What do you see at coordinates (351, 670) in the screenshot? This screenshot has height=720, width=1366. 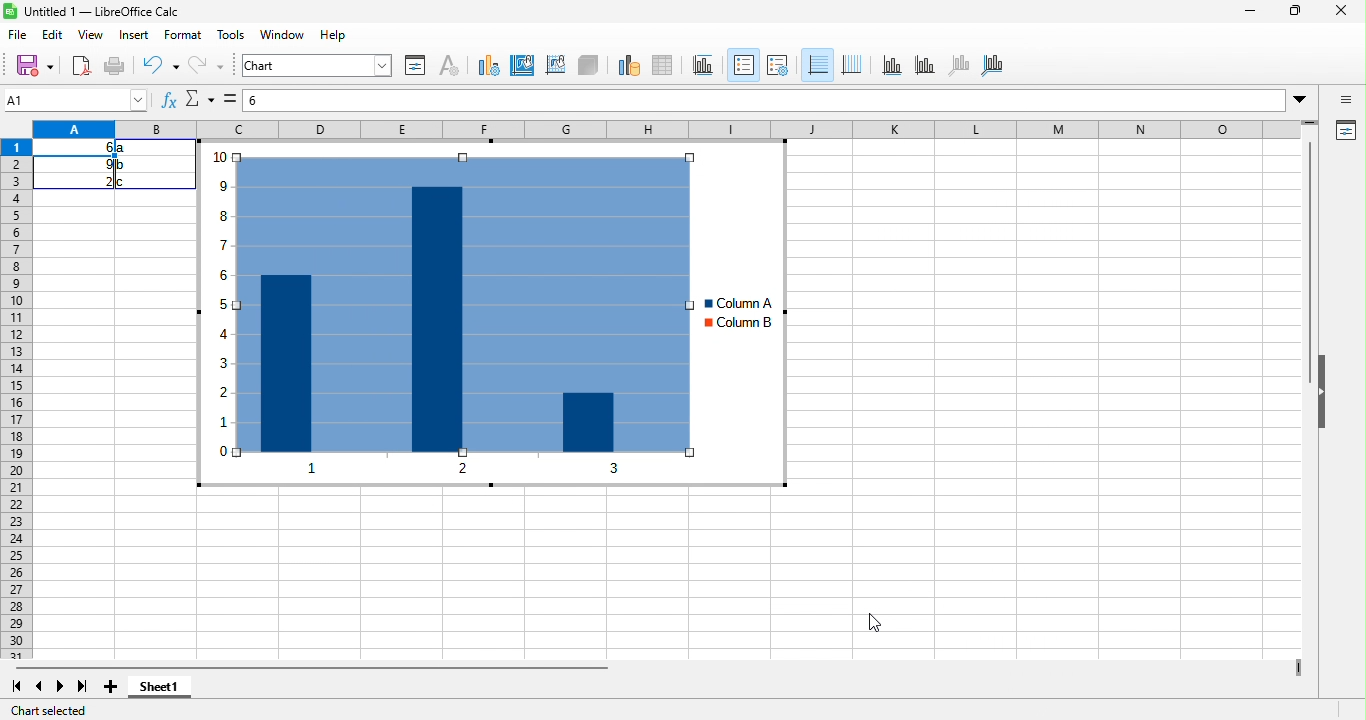 I see `horizontal scroll bar` at bounding box center [351, 670].